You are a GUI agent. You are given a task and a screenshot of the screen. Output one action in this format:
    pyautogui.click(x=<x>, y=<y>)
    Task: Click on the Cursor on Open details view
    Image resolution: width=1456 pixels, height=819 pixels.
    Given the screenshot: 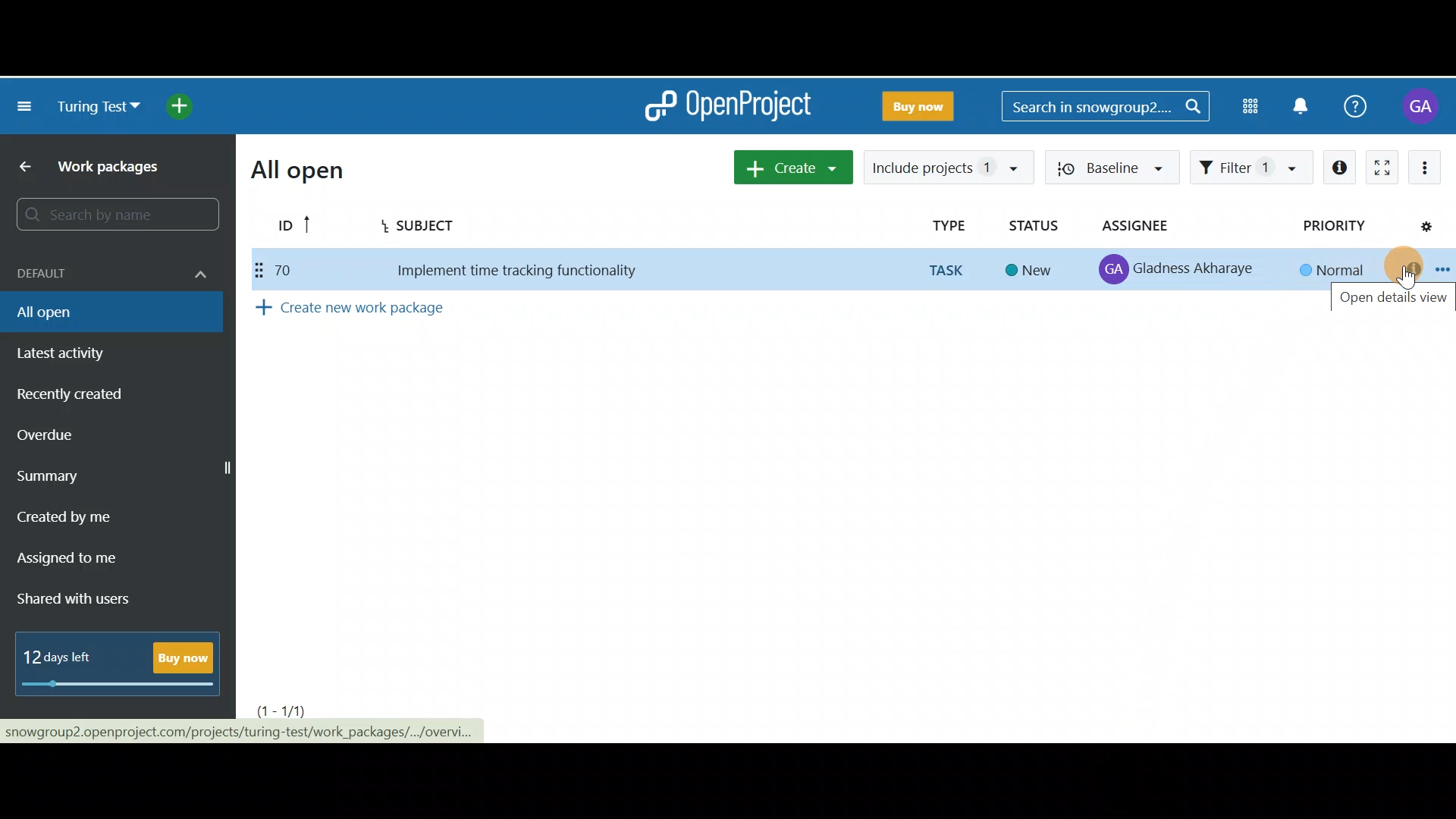 What is the action you would take?
    pyautogui.click(x=1406, y=267)
    